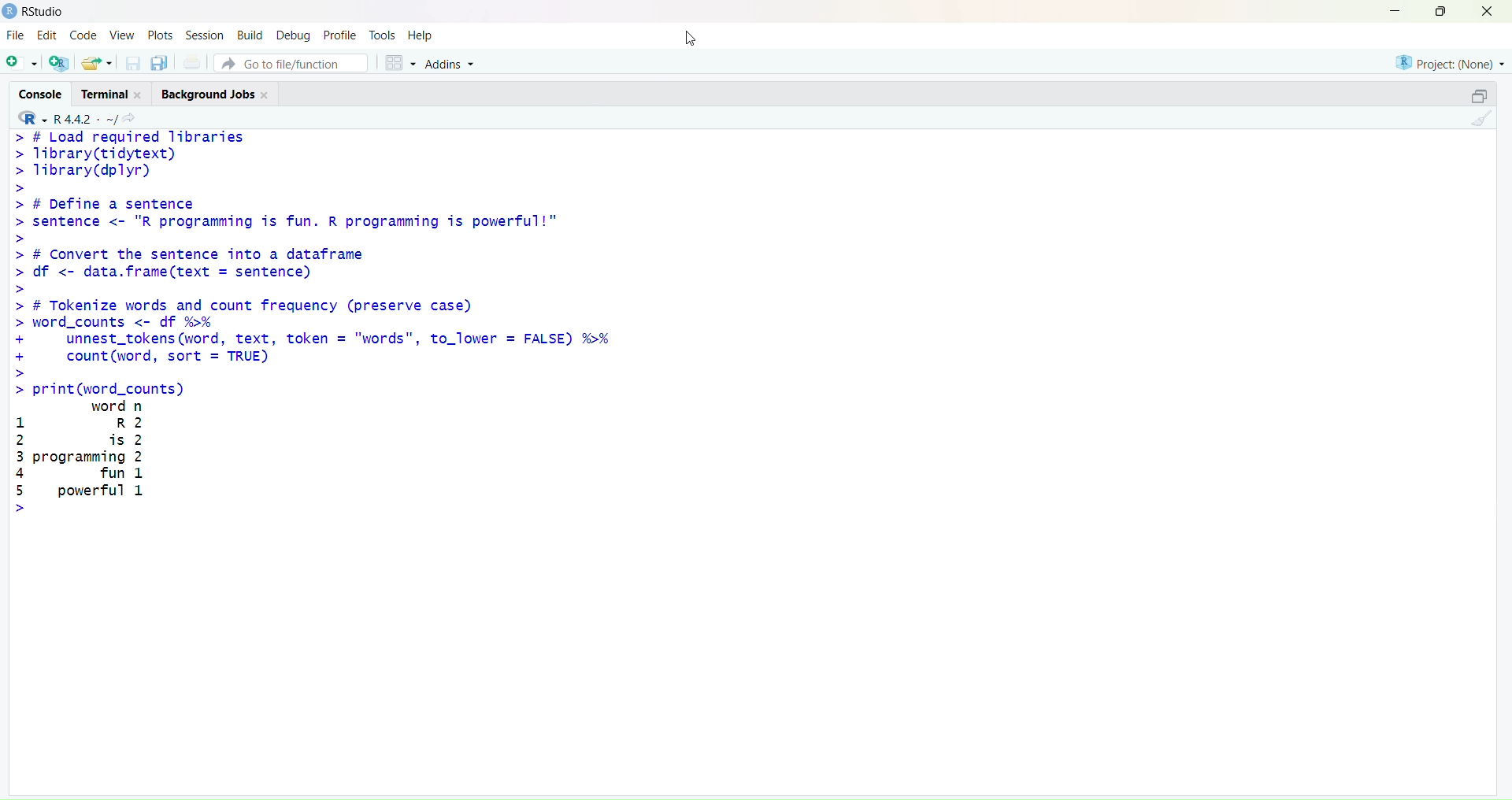 The height and width of the screenshot is (800, 1512). What do you see at coordinates (1393, 12) in the screenshot?
I see `minimize` at bounding box center [1393, 12].